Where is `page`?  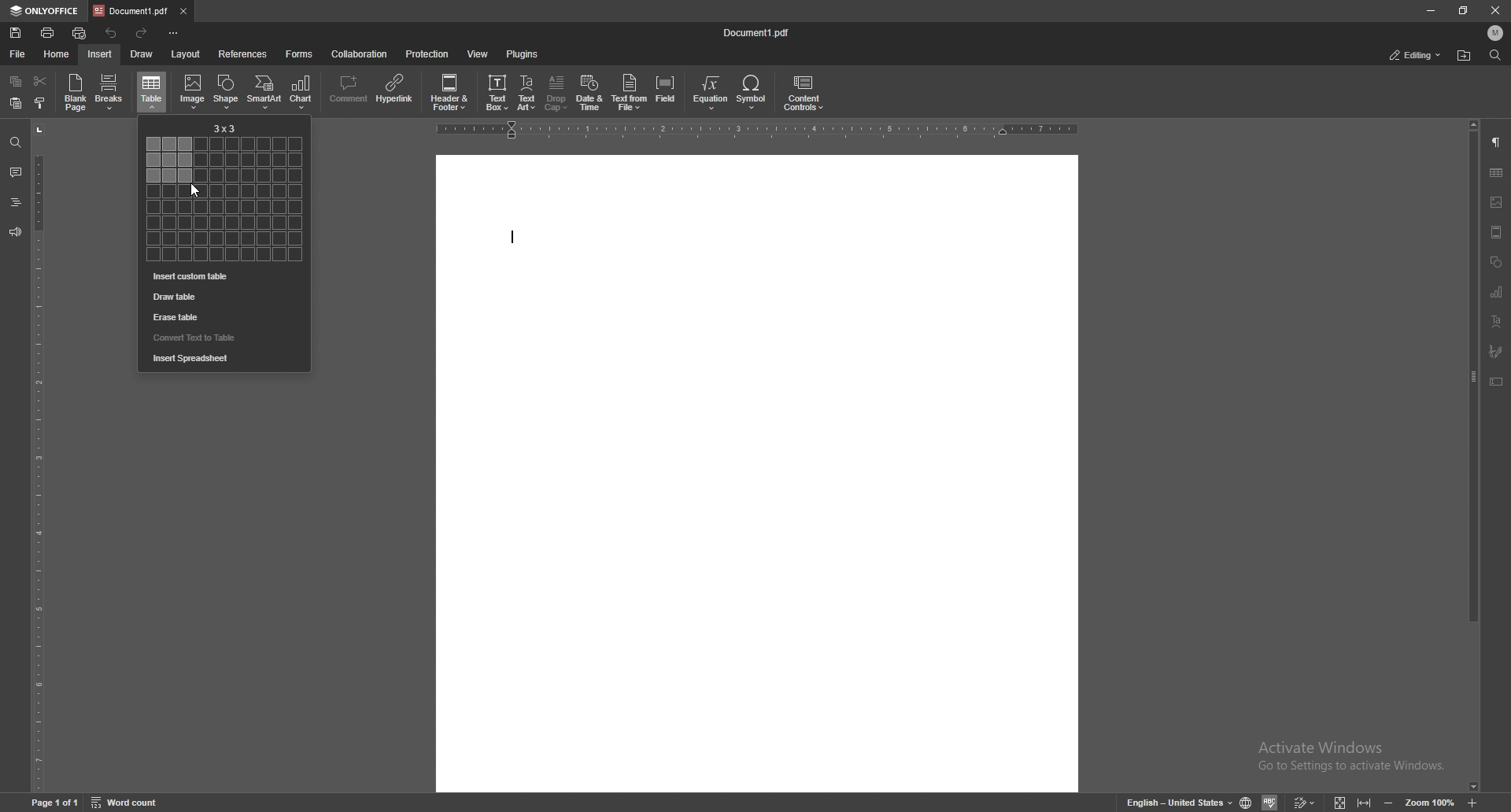 page is located at coordinates (57, 802).